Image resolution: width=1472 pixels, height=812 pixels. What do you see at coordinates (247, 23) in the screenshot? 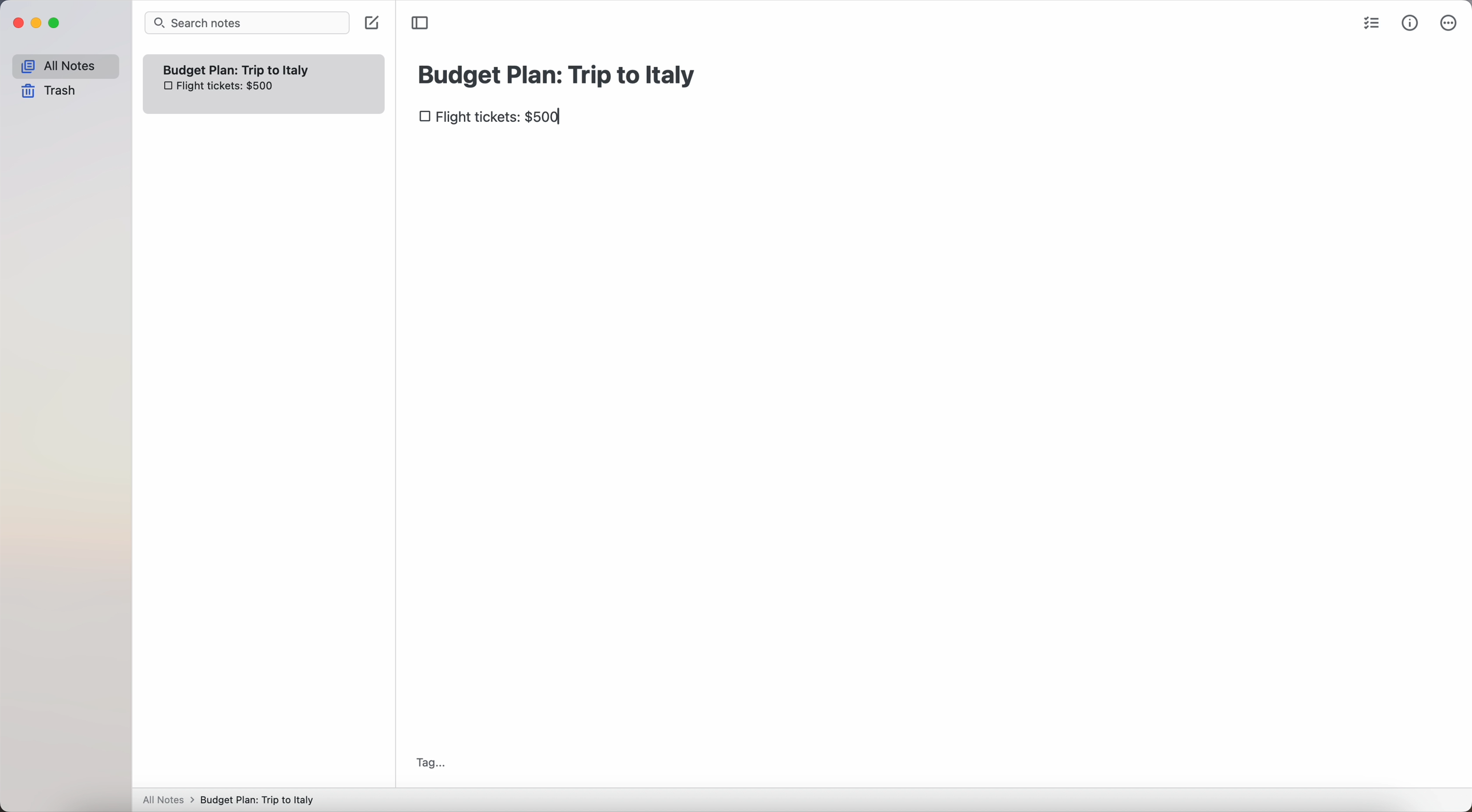
I see `search bar` at bounding box center [247, 23].